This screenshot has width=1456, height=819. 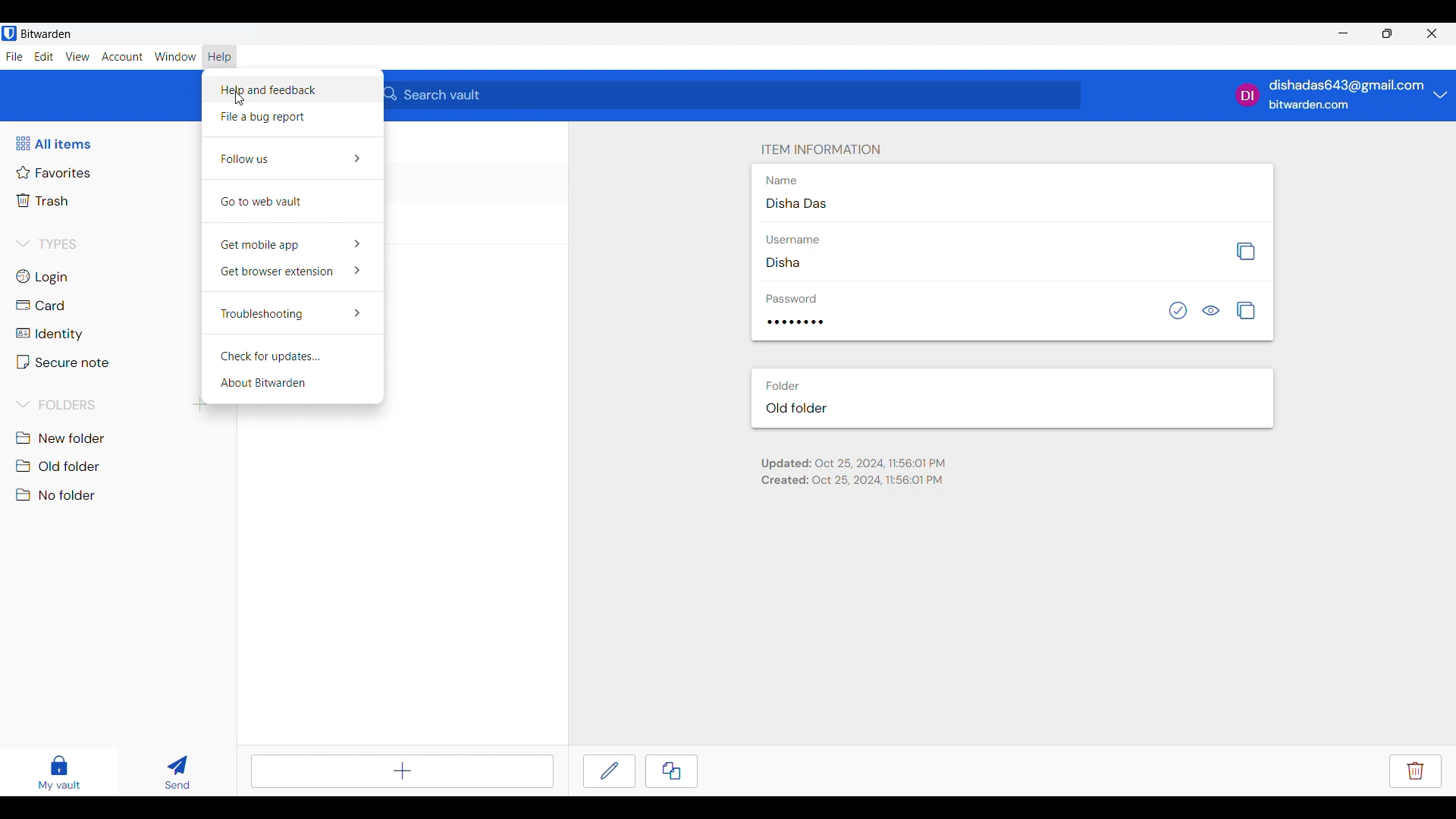 I want to click on Copy respective detail, so click(x=1246, y=310).